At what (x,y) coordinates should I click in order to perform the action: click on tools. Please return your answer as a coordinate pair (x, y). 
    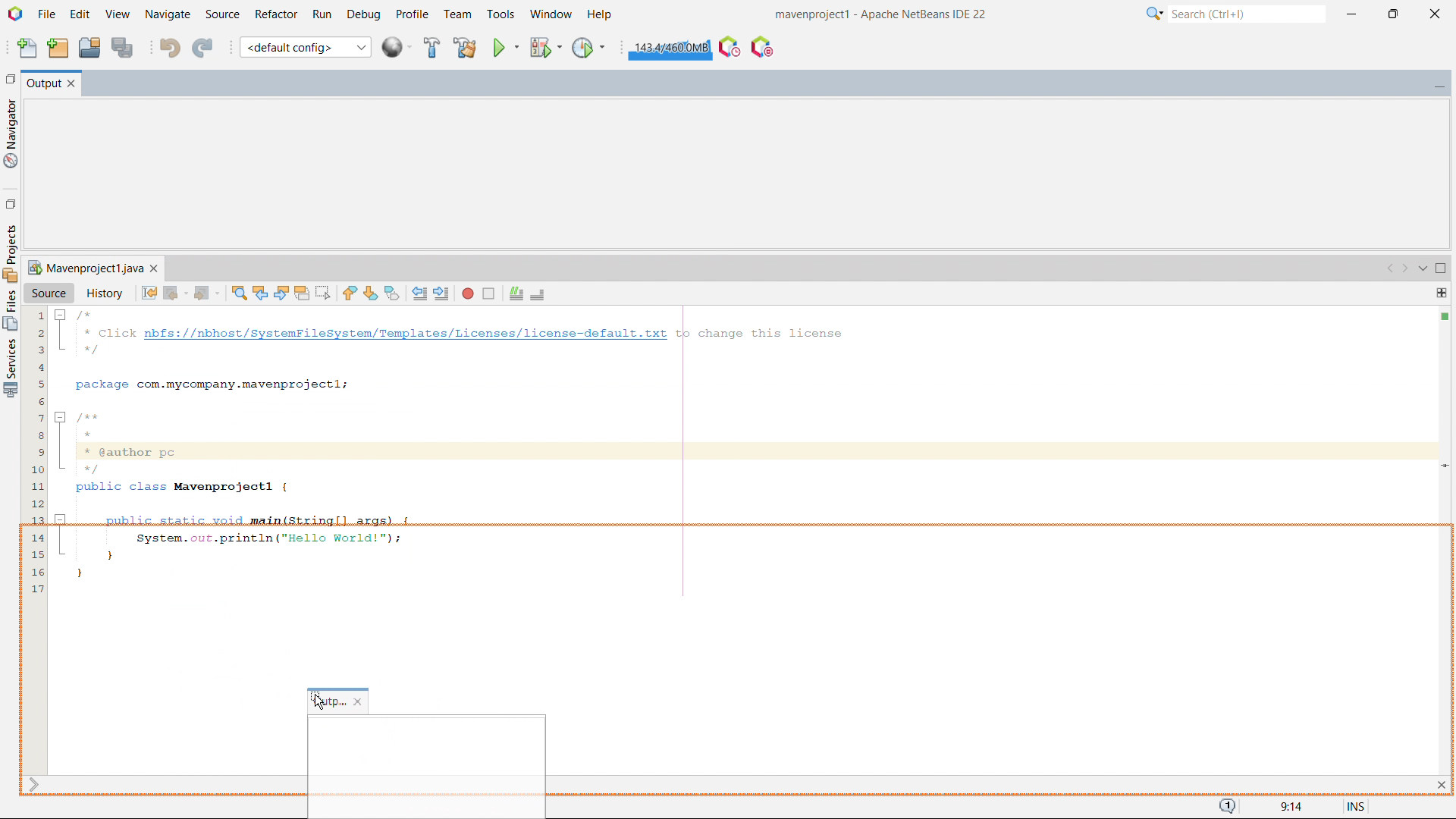
    Looking at the image, I should click on (500, 15).